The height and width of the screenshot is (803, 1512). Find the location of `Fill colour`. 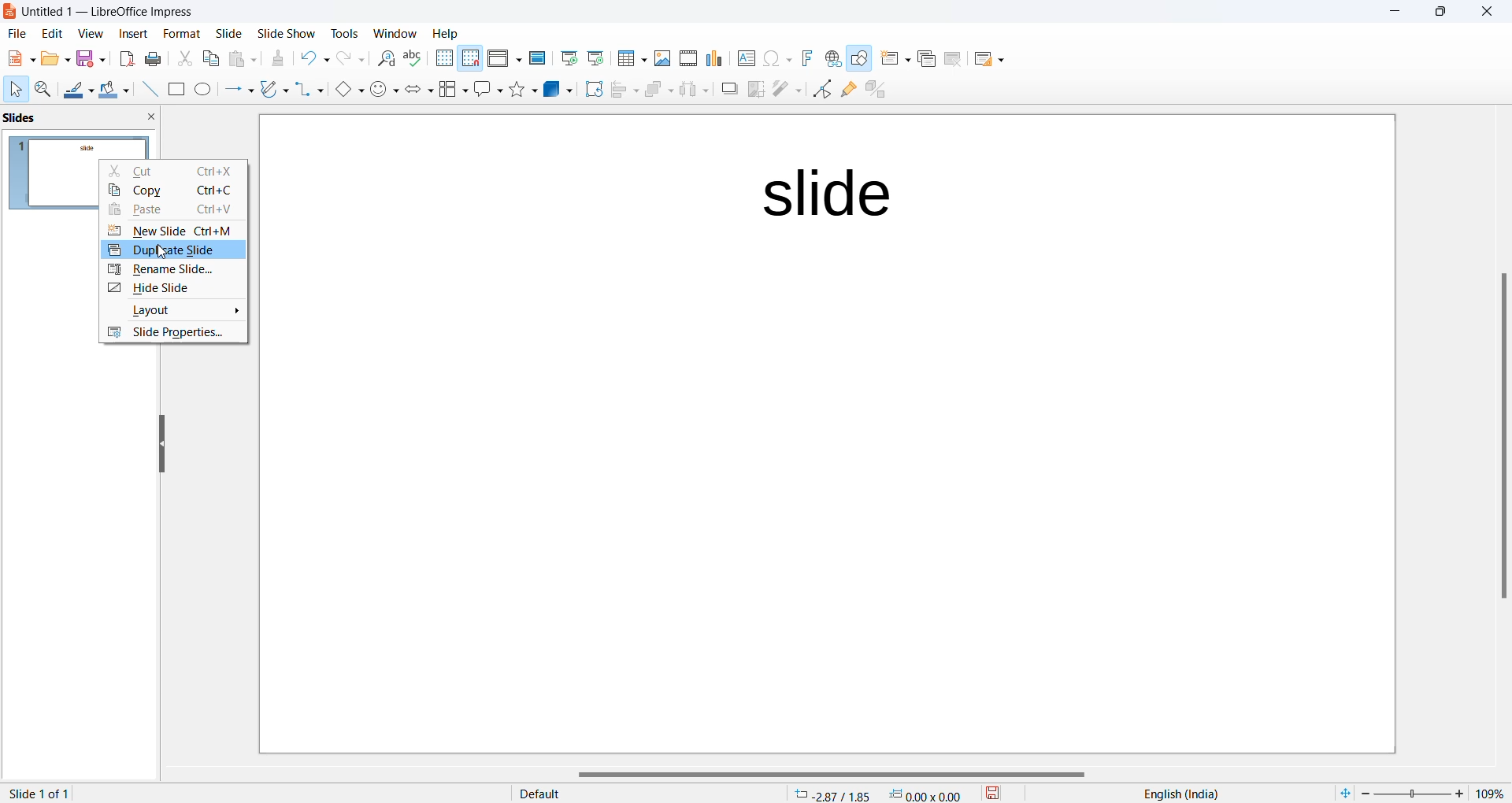

Fill colour is located at coordinates (112, 89).